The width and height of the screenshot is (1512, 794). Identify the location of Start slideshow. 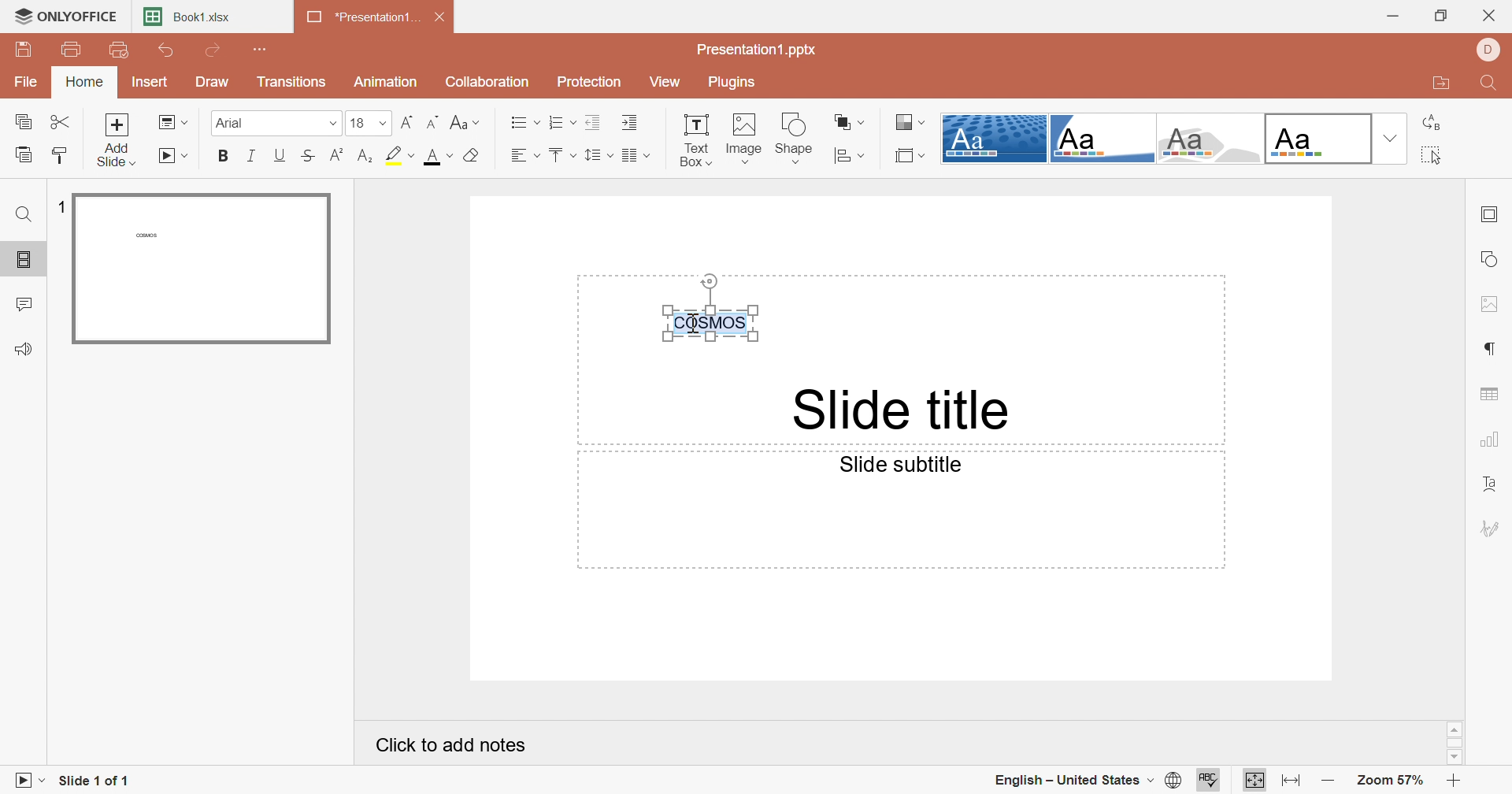
(170, 158).